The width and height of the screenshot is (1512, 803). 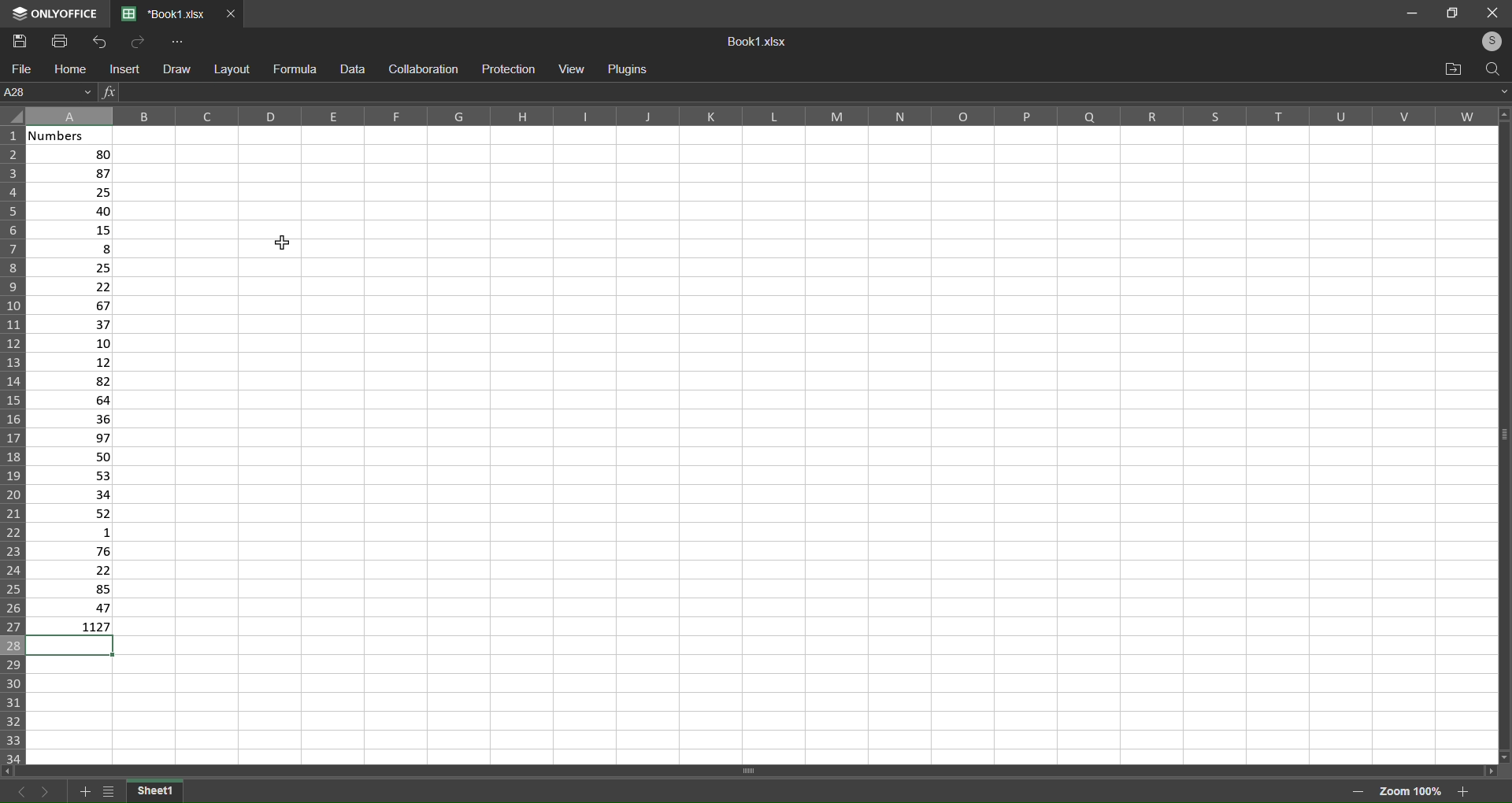 I want to click on cells, so click(x=805, y=439).